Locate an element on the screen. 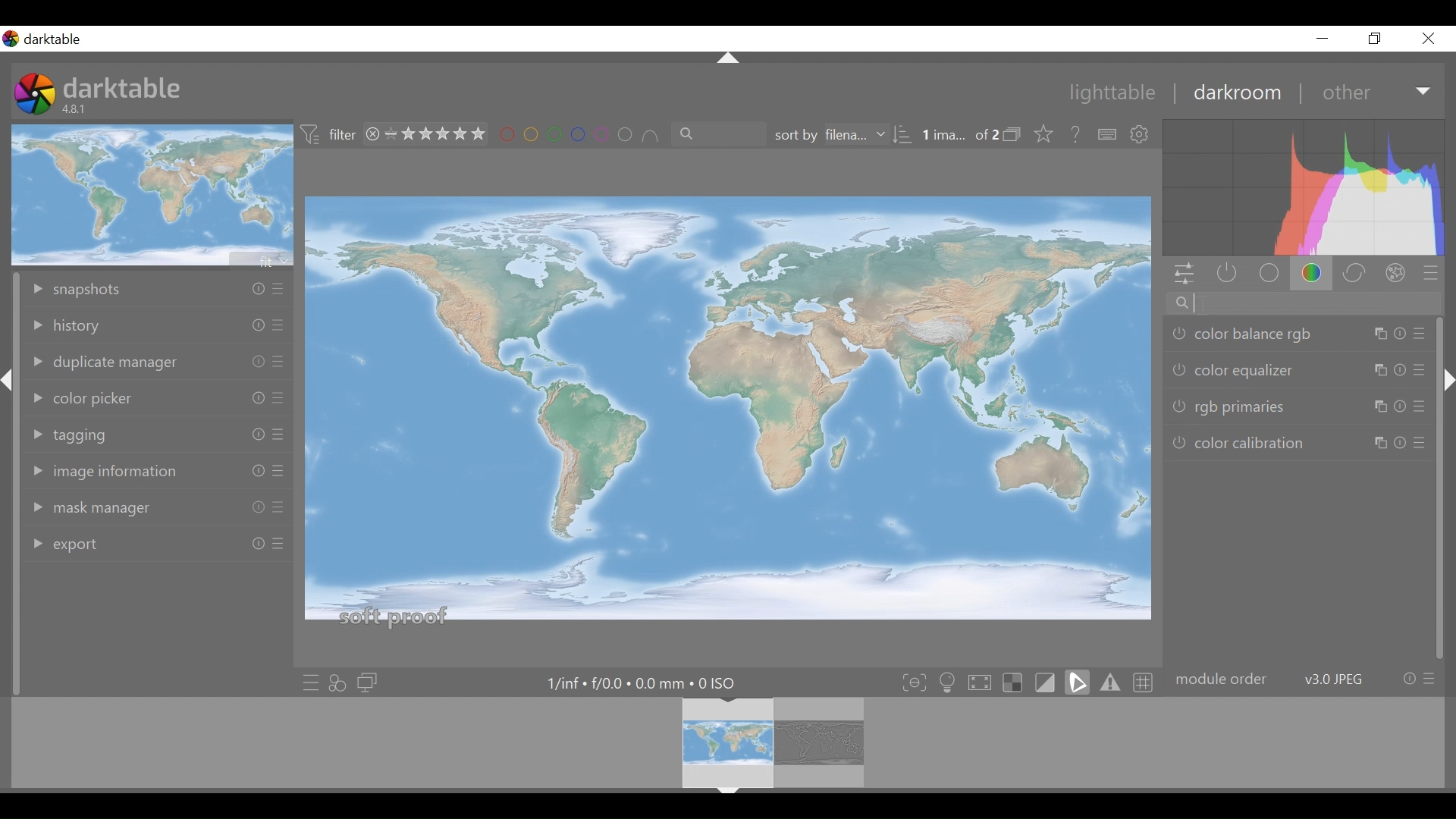 Image resolution: width=1456 pixels, height=819 pixels. Expand is located at coordinates (1425, 93).